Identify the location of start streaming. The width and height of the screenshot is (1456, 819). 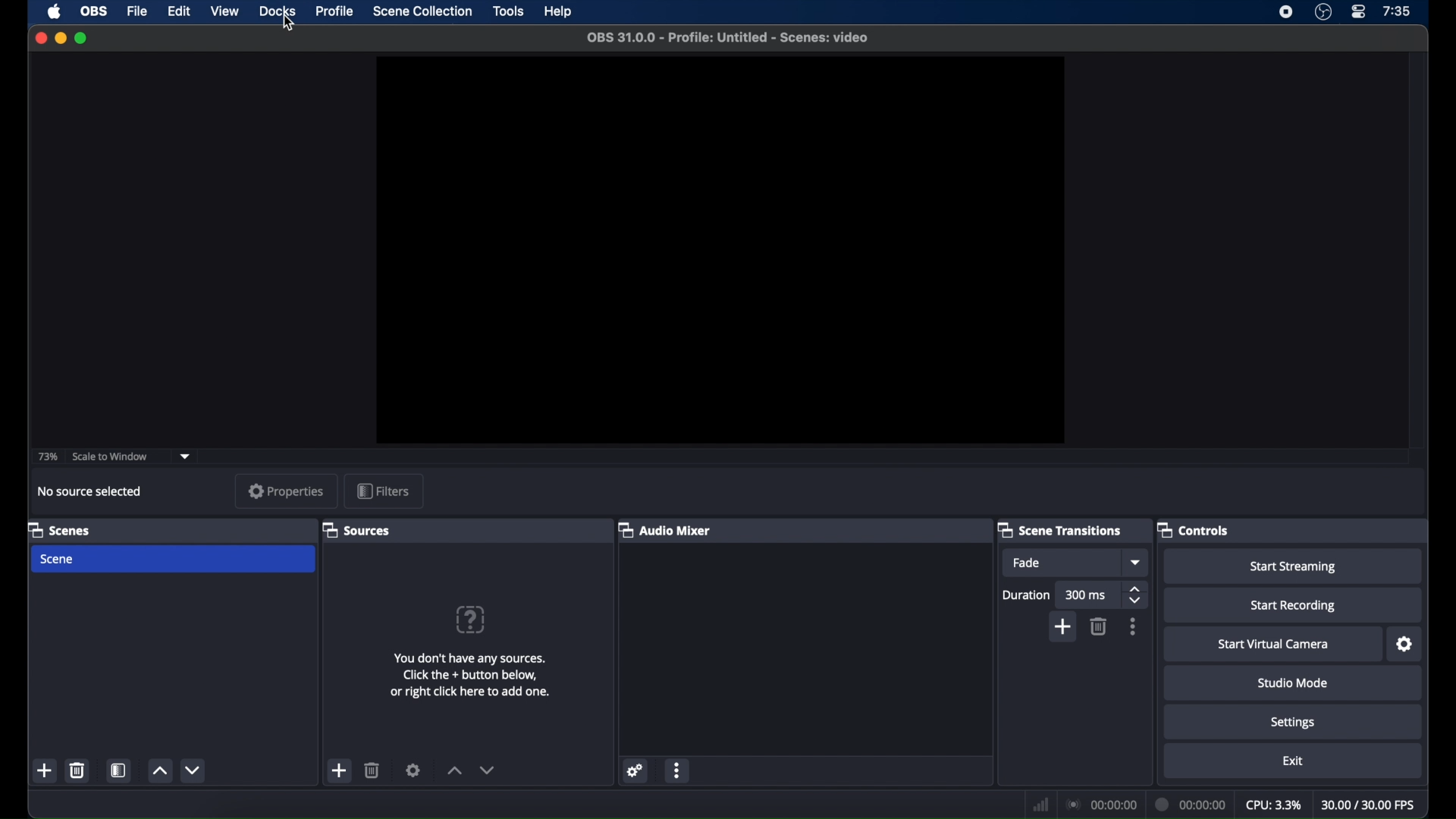
(1292, 566).